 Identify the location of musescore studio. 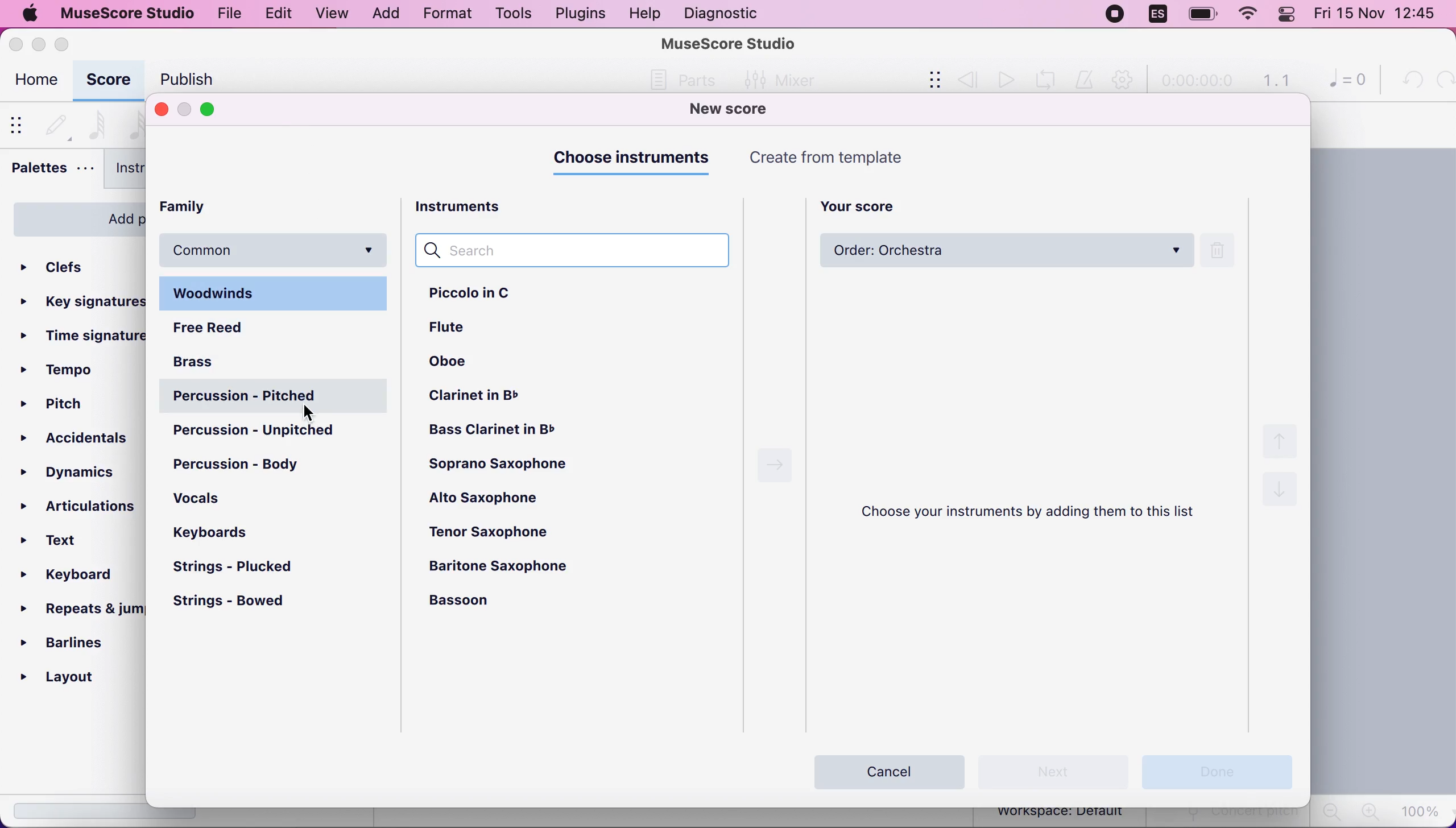
(129, 13).